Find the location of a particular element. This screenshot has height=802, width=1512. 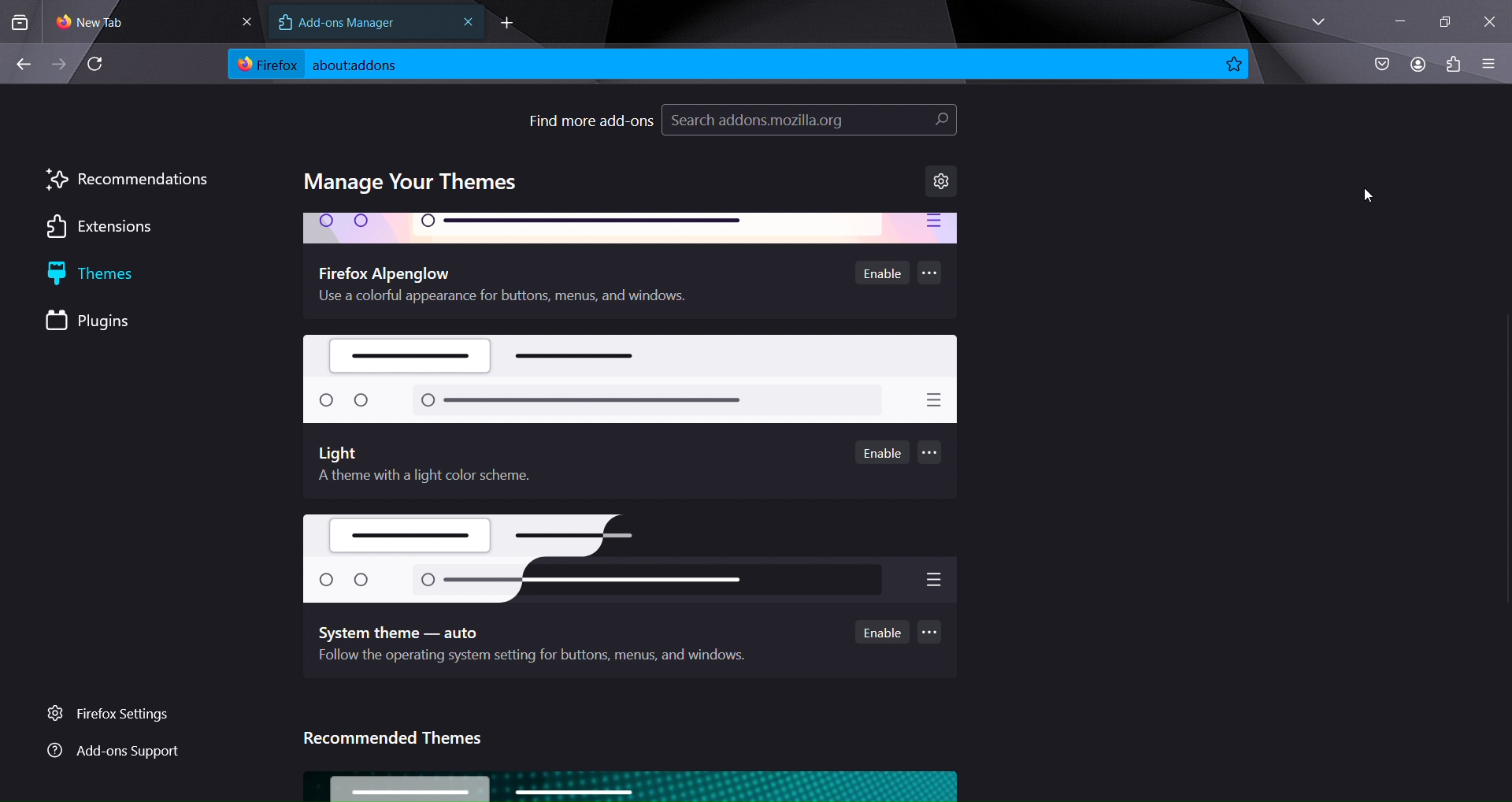

image is located at coordinates (630, 784).